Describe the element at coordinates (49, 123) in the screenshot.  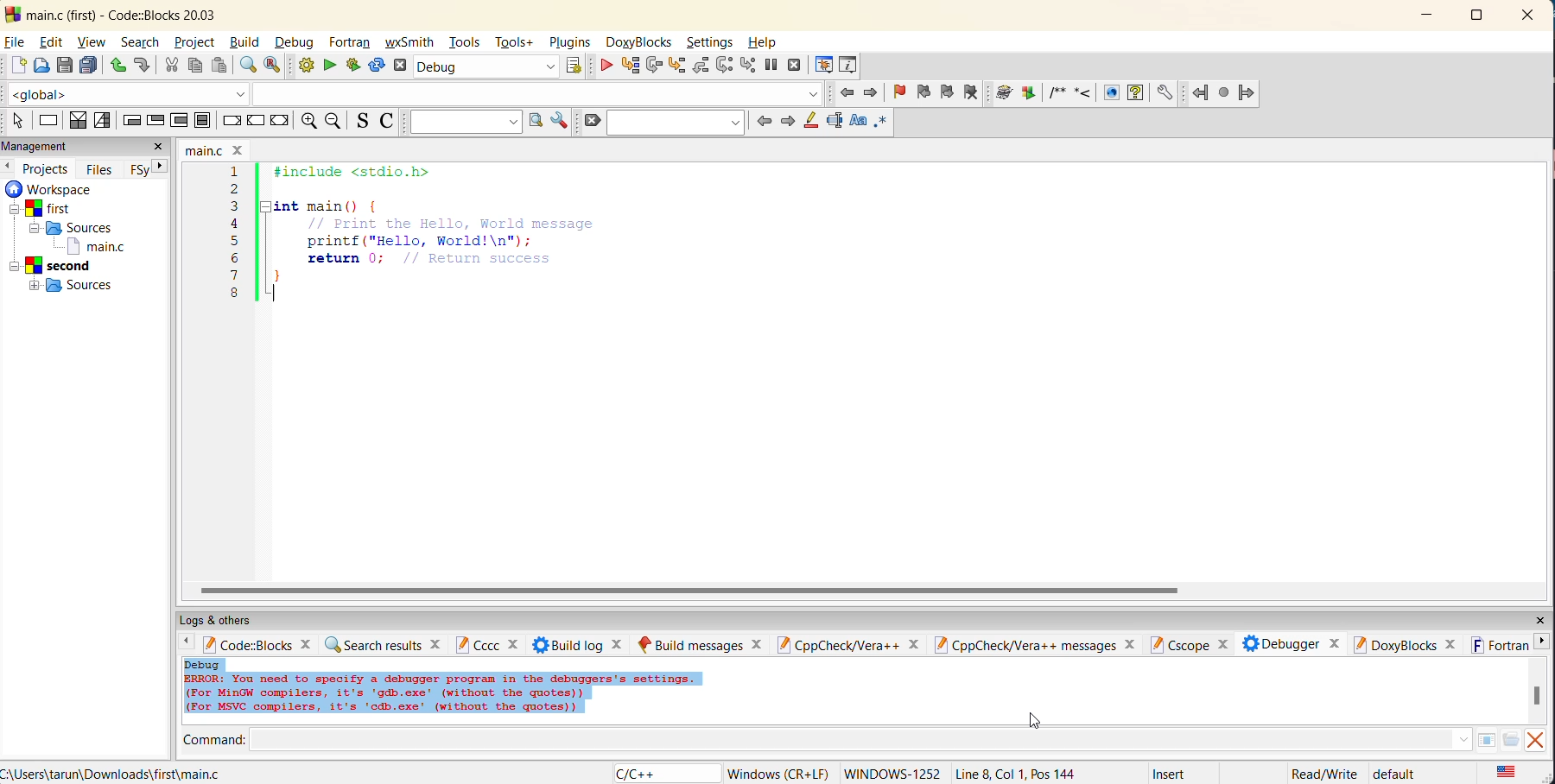
I see `instruction` at that location.